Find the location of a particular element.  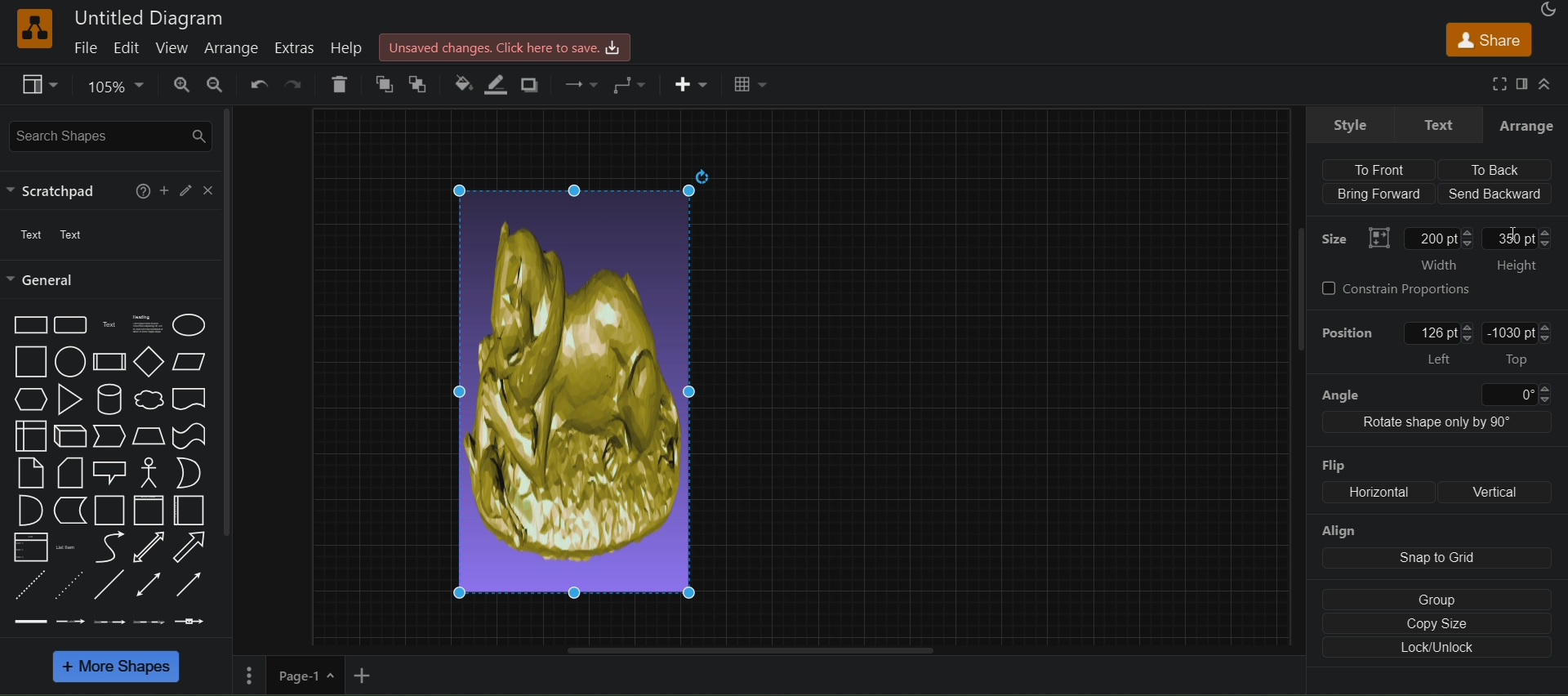

insert is located at coordinates (692, 87).